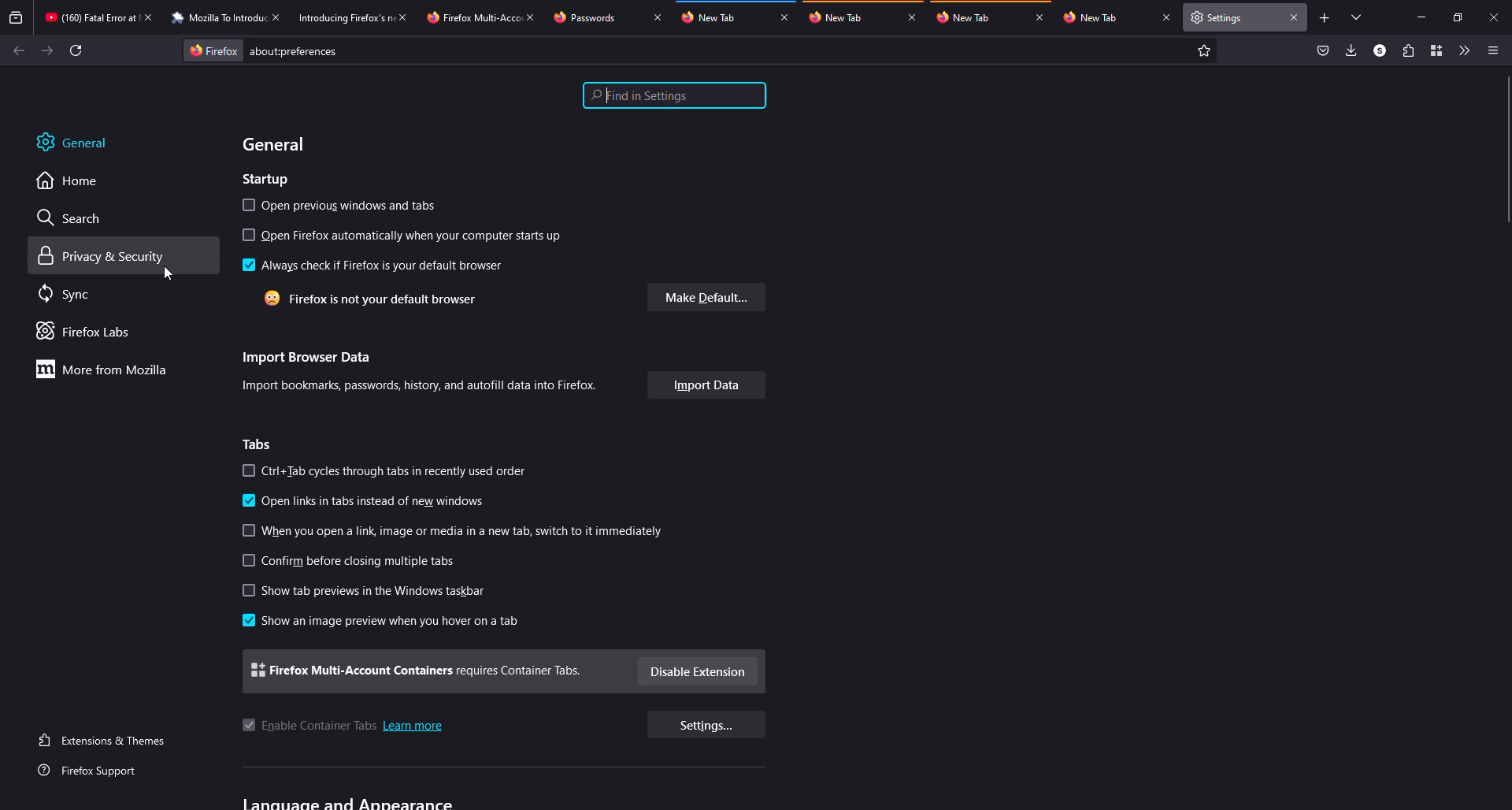 The image size is (1512, 810). Describe the element at coordinates (247, 235) in the screenshot. I see `select` at that location.